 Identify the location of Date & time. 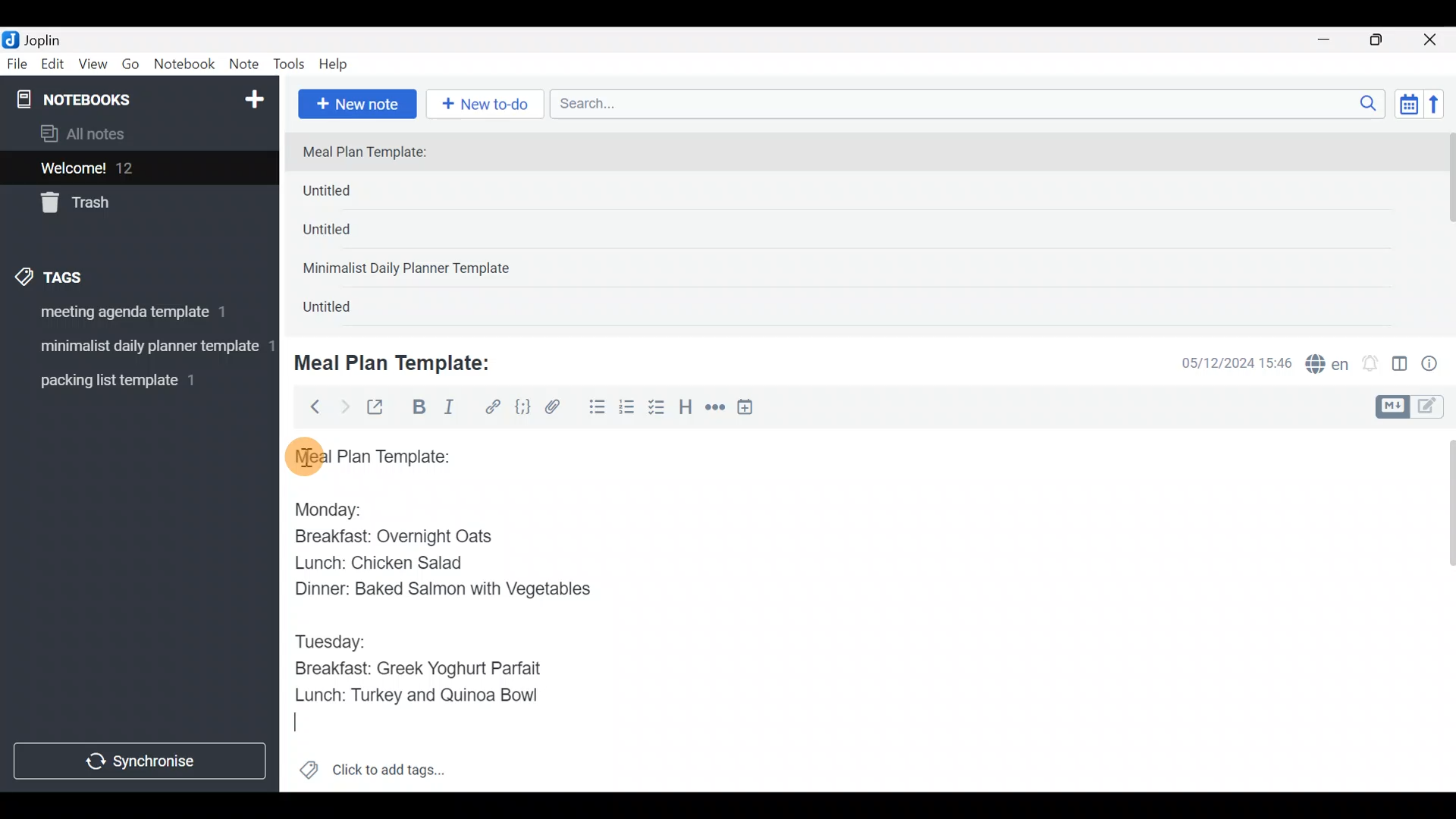
(1225, 362).